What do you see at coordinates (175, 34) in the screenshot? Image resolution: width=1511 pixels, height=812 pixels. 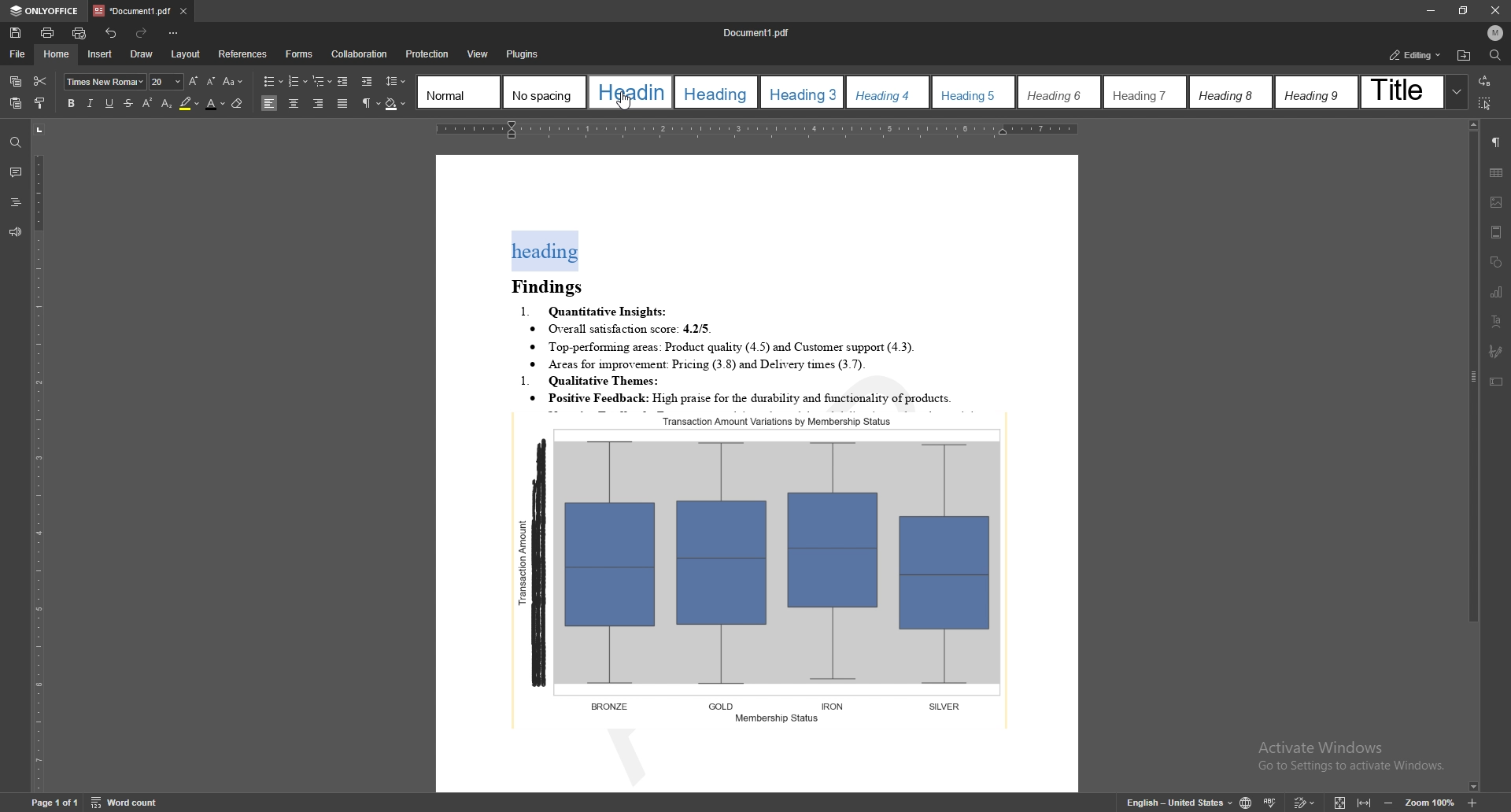 I see `customize toolbar` at bounding box center [175, 34].